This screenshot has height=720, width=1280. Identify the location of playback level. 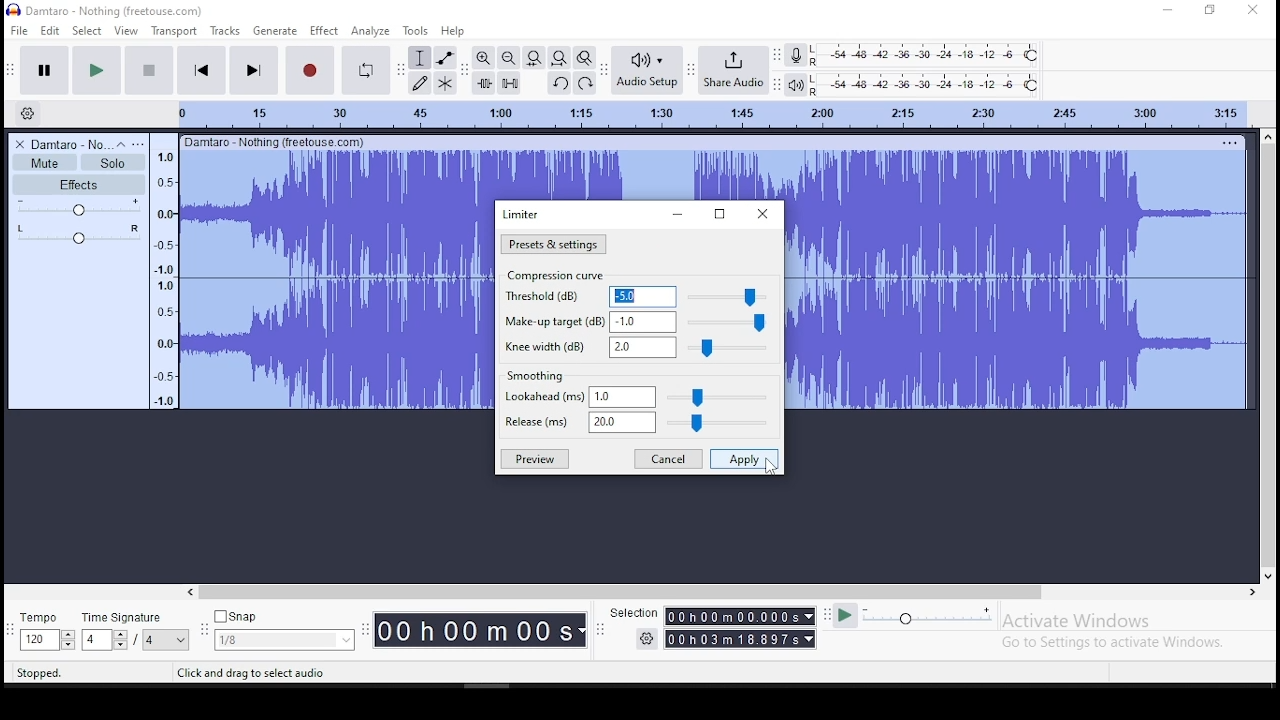
(927, 84).